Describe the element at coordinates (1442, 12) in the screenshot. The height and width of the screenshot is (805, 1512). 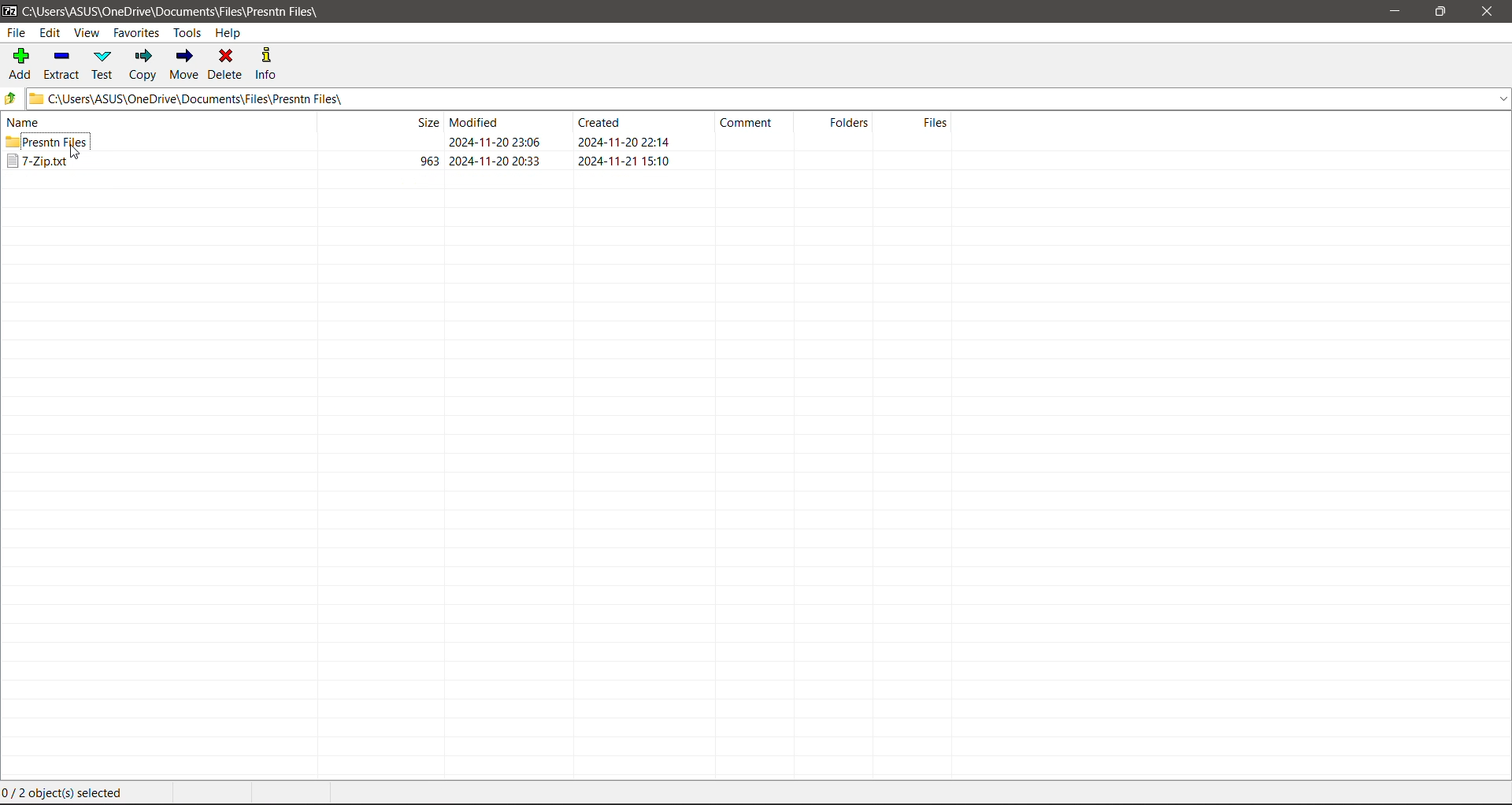
I see `Restore Down` at that location.